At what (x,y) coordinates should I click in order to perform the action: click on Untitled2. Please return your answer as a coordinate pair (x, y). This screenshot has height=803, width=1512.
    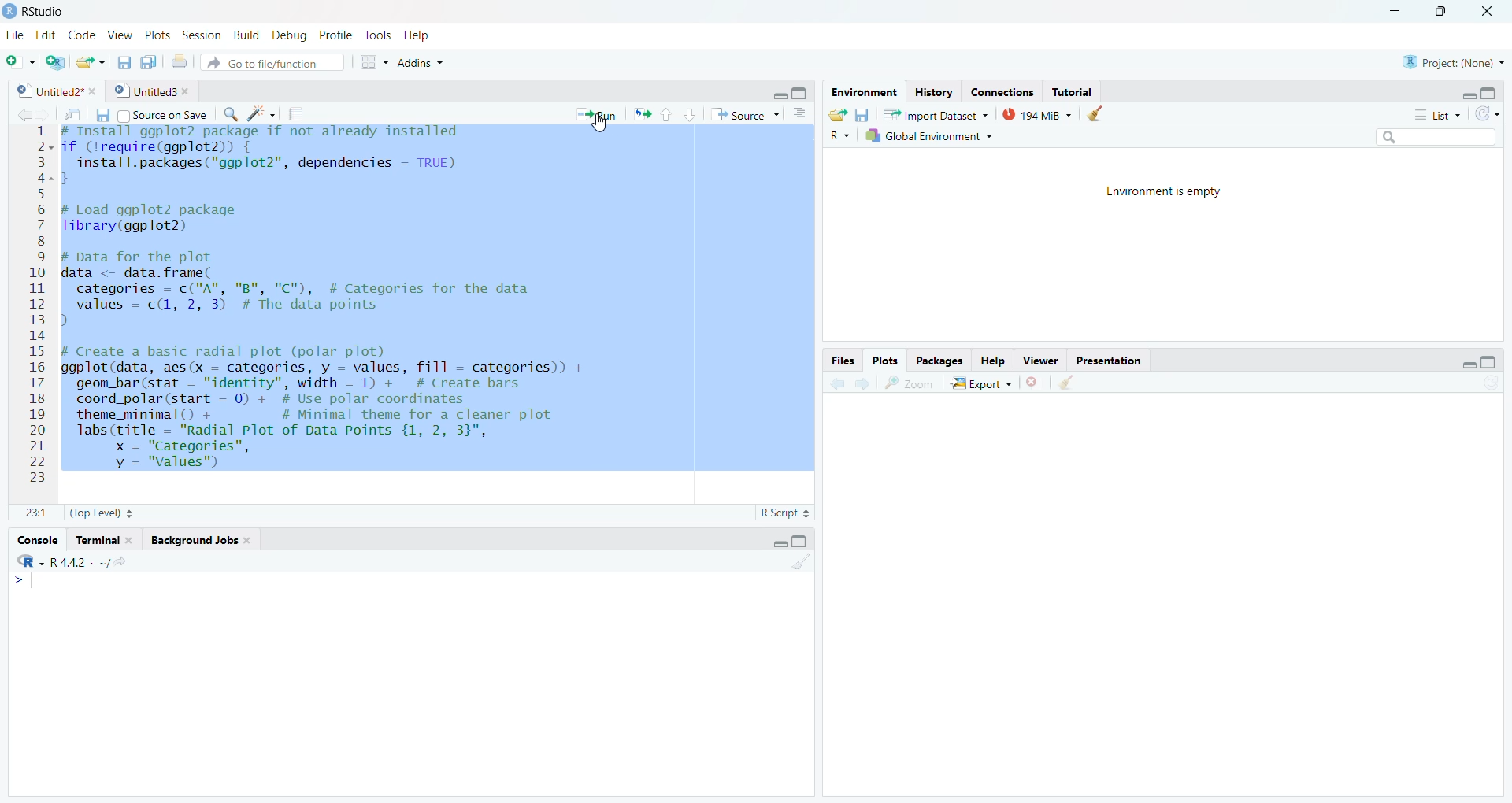
    Looking at the image, I should click on (60, 92).